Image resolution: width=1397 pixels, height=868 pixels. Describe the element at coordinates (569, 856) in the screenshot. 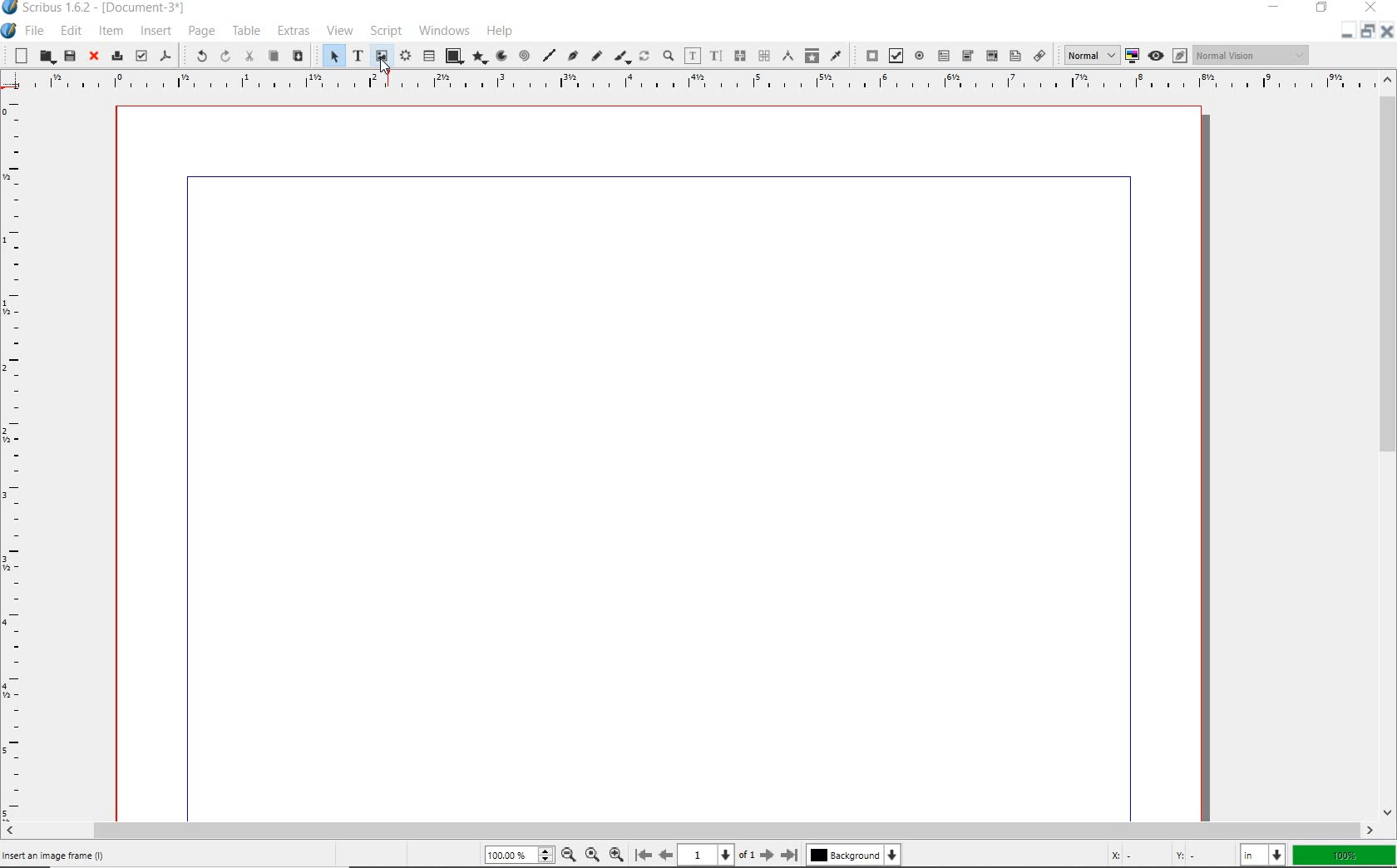

I see `zoom out` at that location.